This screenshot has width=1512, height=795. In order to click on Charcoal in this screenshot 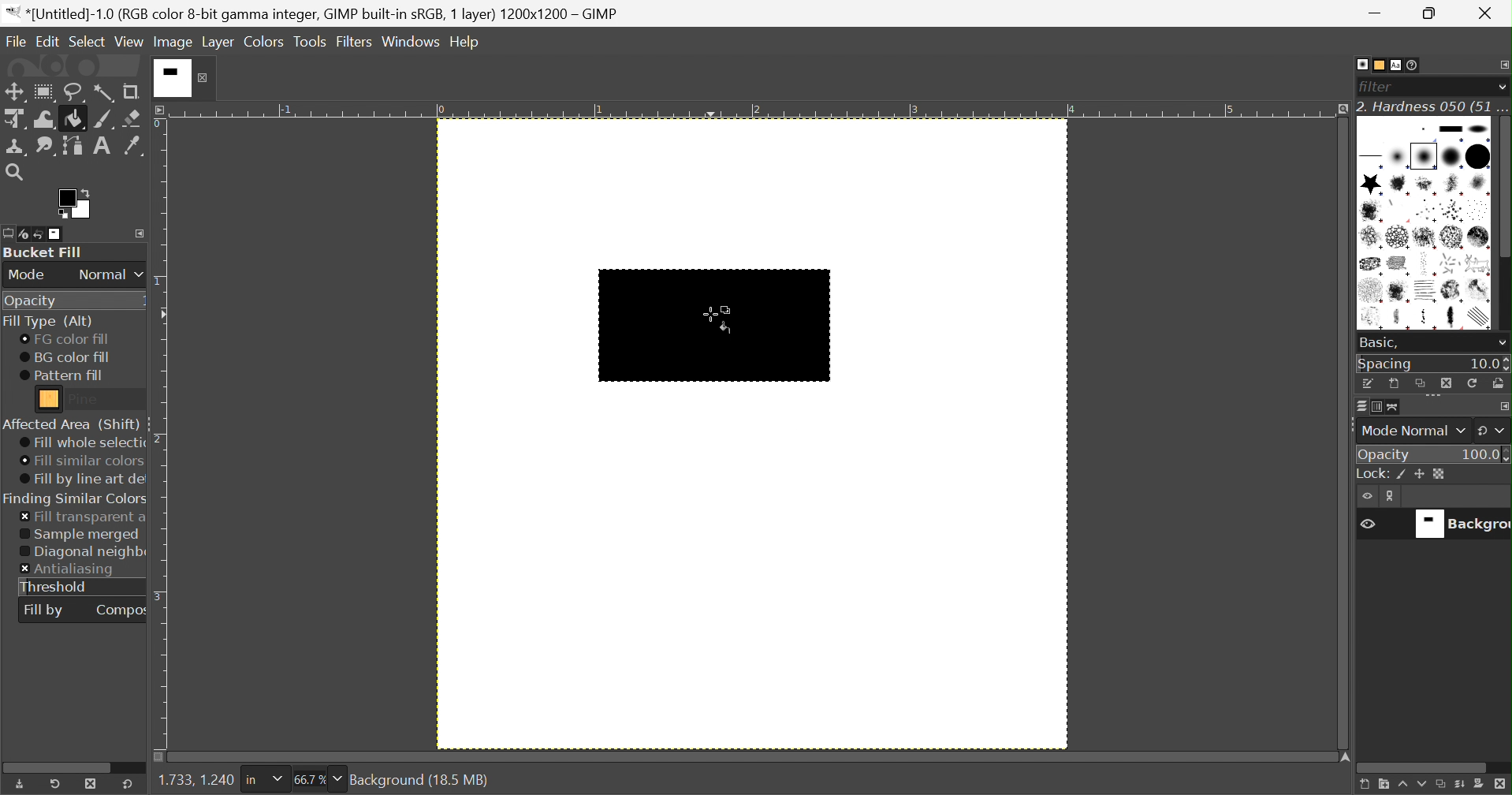, I will do `click(1370, 264)`.